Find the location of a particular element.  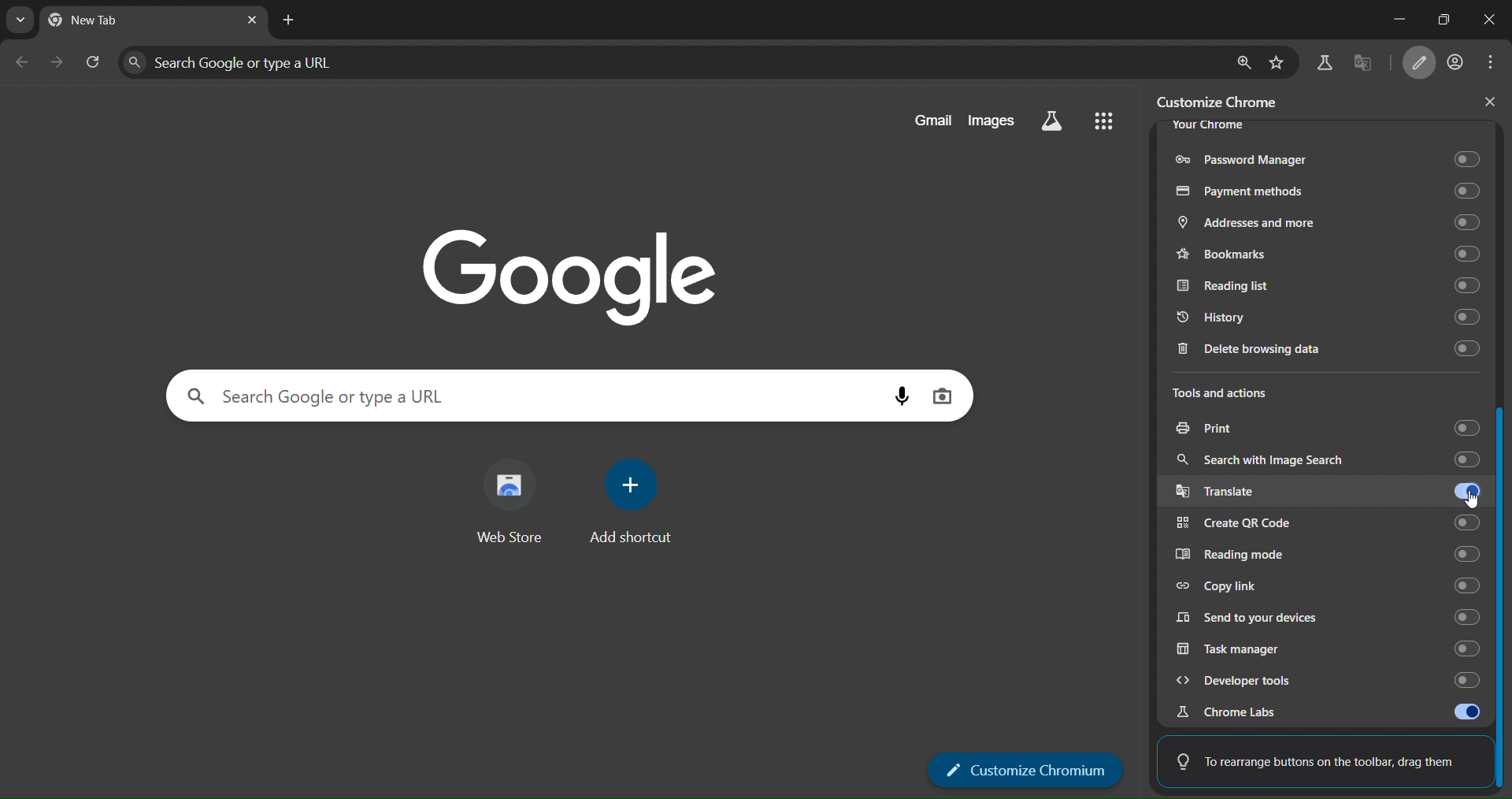

search panel is located at coordinates (666, 62).